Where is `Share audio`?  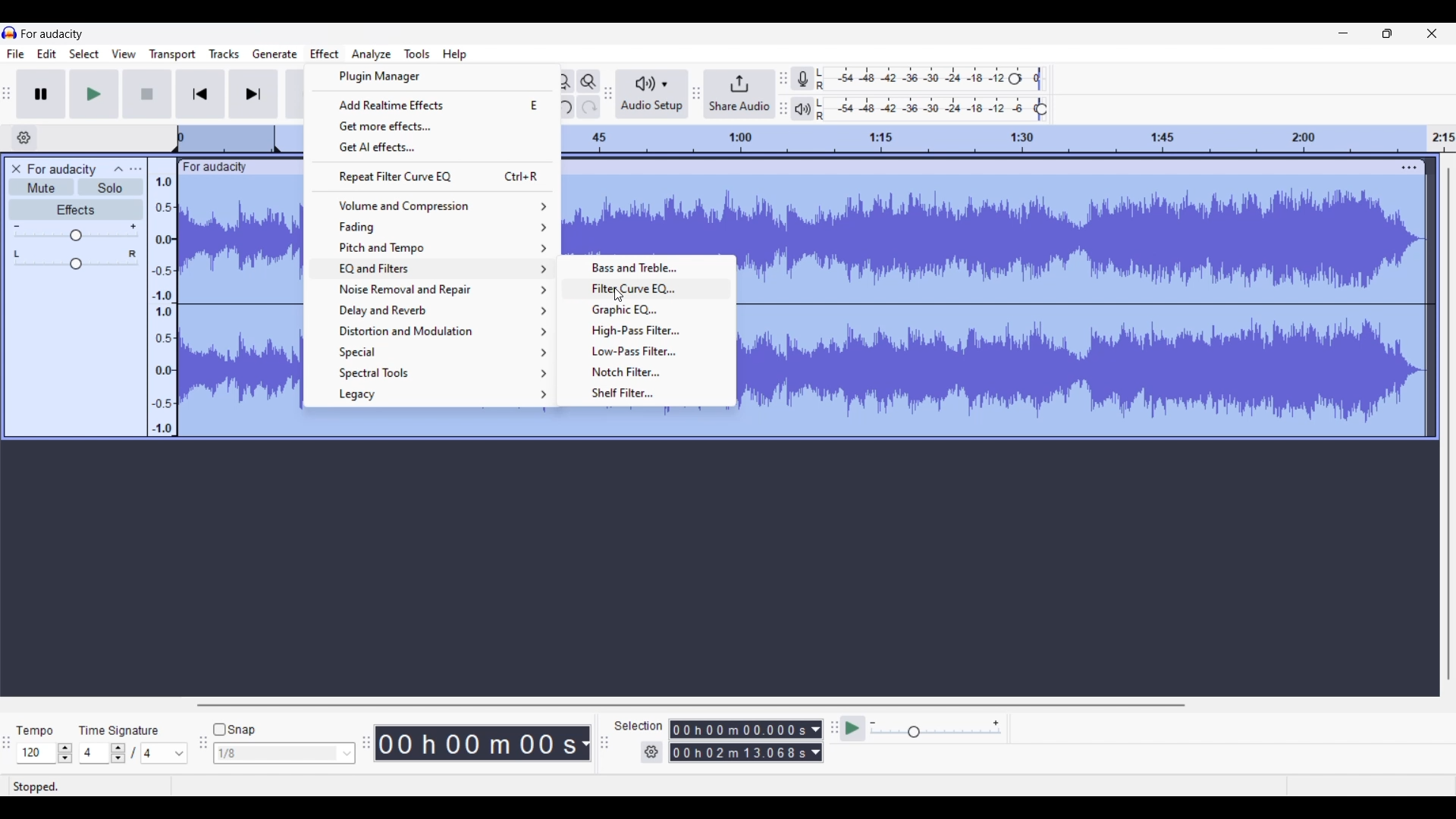
Share audio is located at coordinates (740, 94).